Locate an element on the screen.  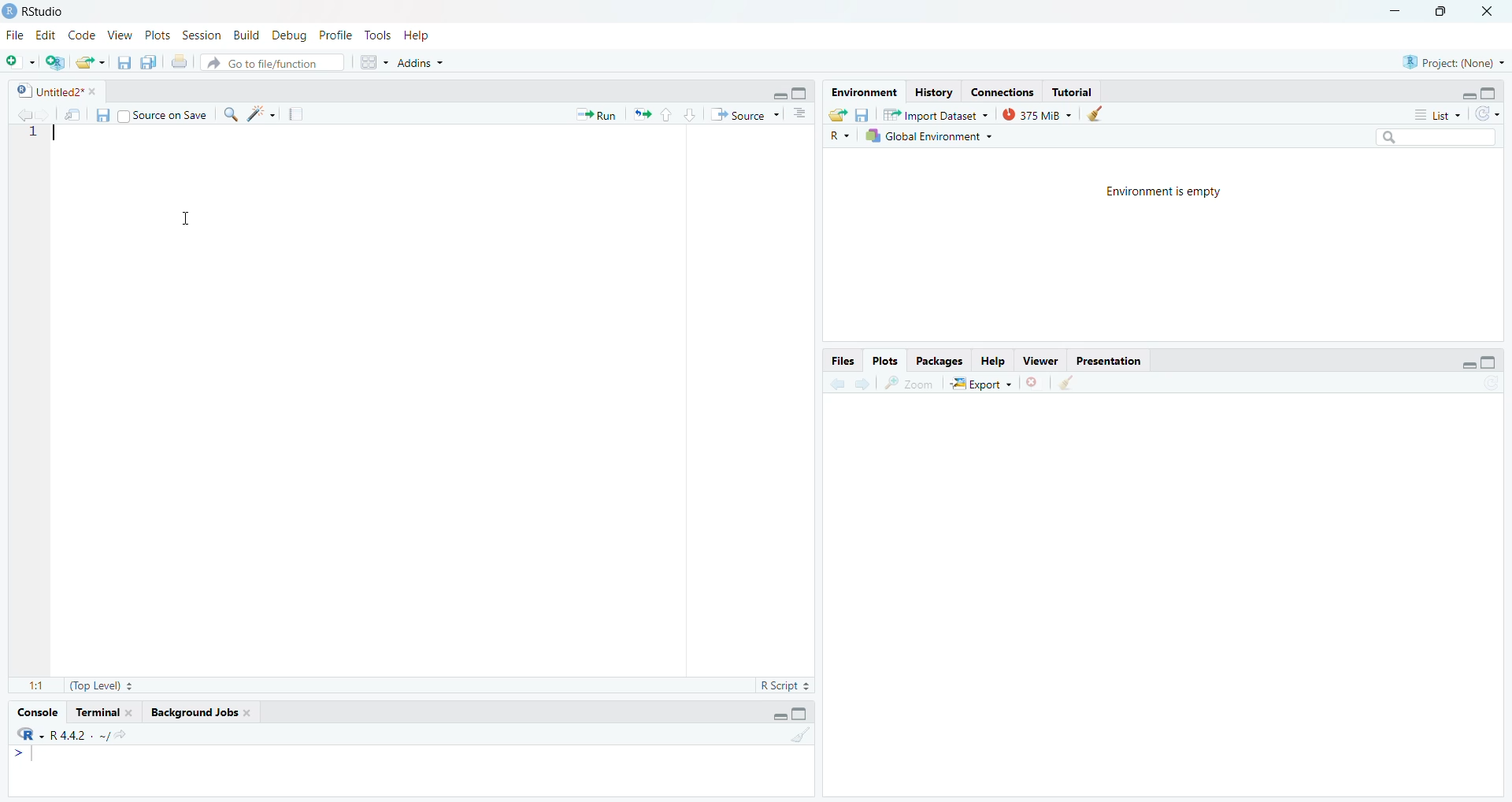
Build is located at coordinates (246, 36).